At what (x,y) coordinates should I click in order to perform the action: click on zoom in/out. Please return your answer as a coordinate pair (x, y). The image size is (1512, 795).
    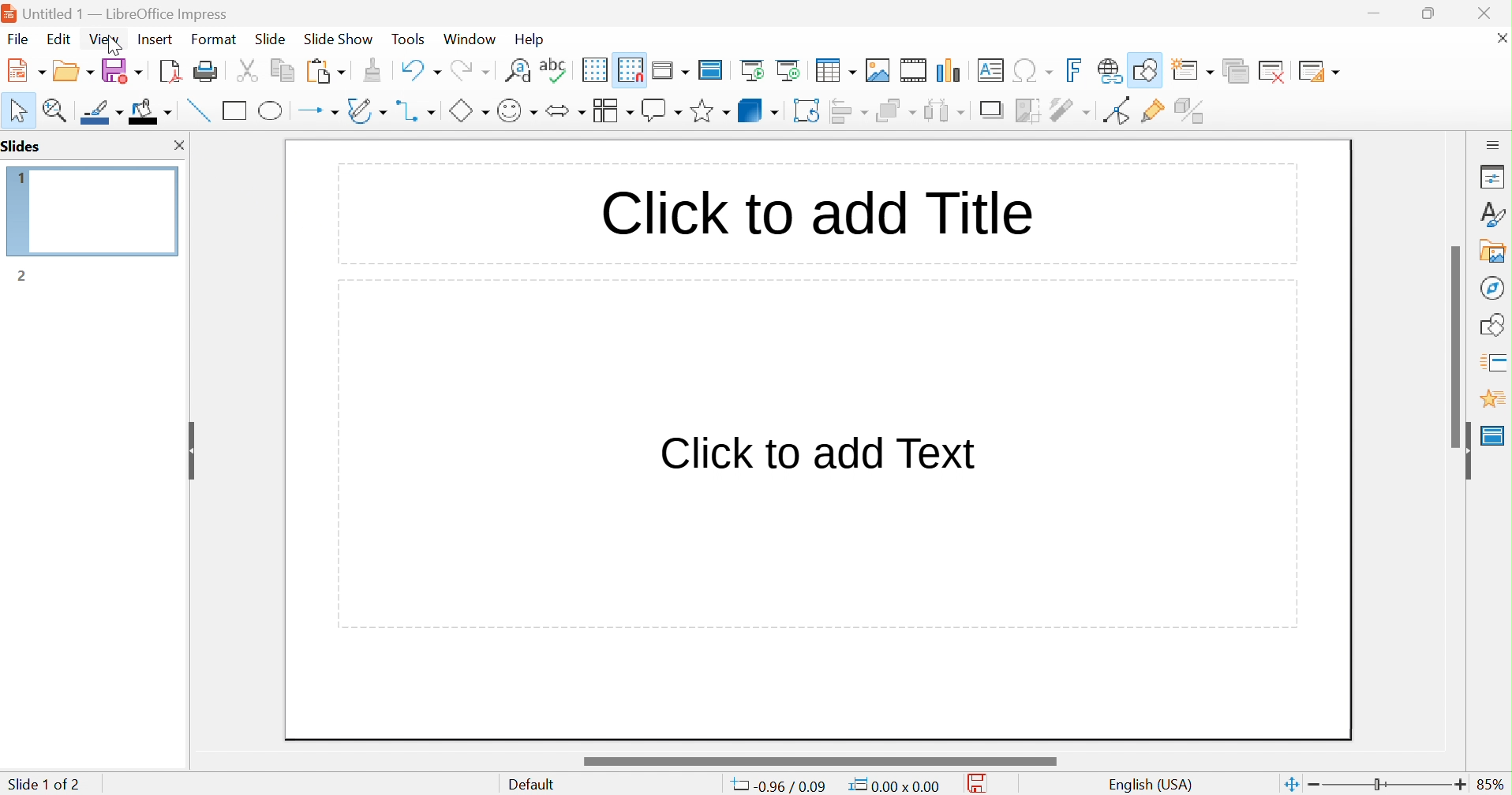
    Looking at the image, I should click on (1387, 785).